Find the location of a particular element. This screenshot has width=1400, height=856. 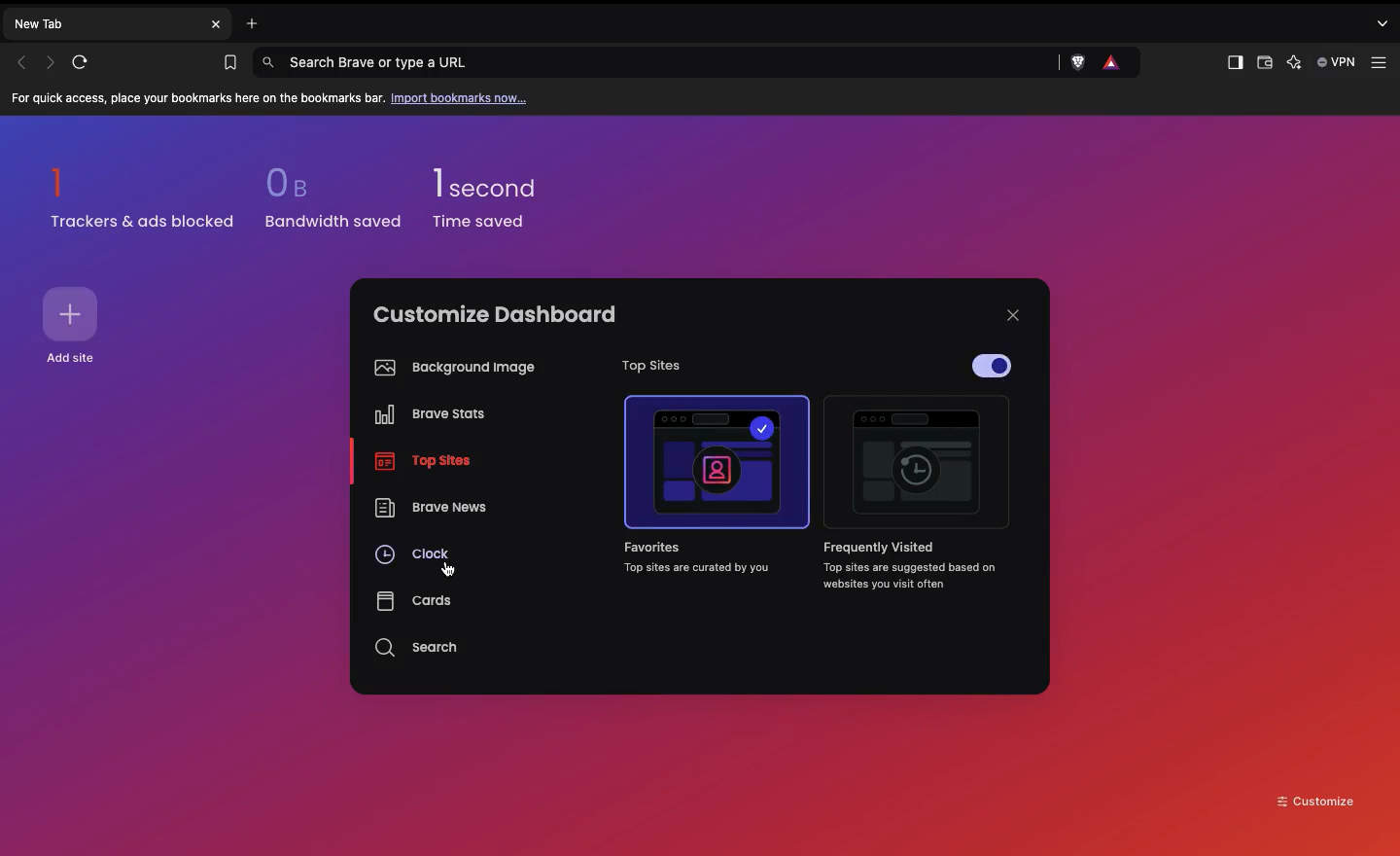

On is located at coordinates (996, 368).